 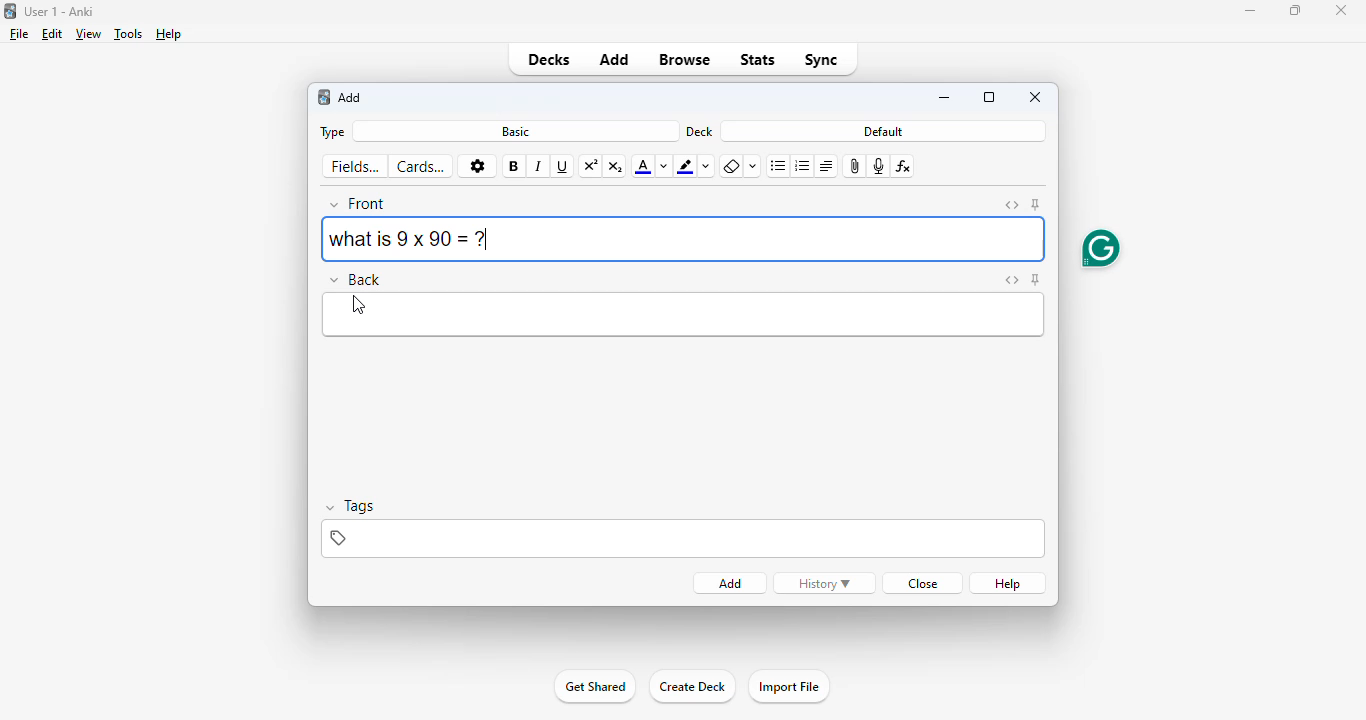 What do you see at coordinates (323, 97) in the screenshot?
I see `logo` at bounding box center [323, 97].